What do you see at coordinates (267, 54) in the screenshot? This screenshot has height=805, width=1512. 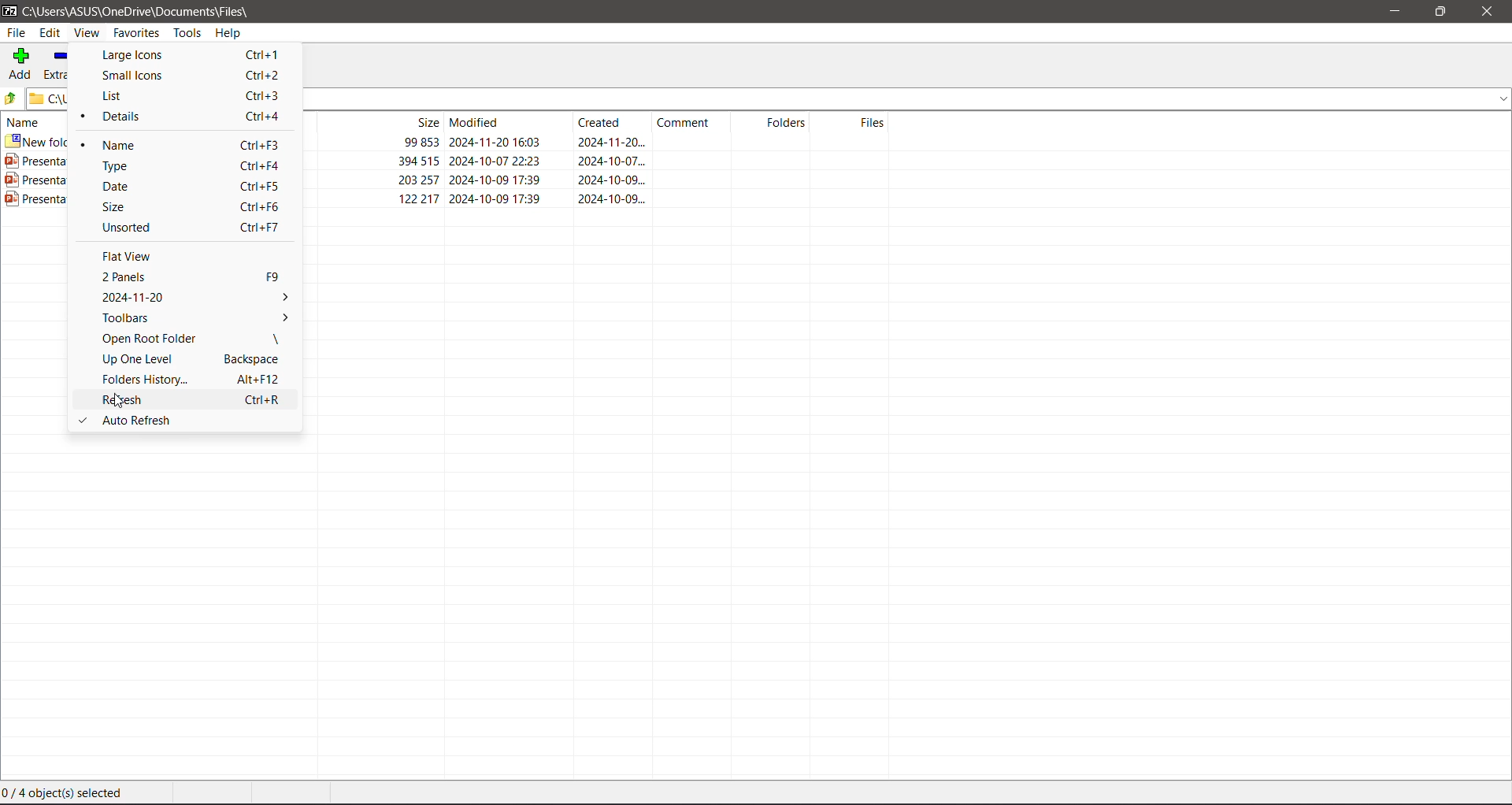 I see `Ctrl+1` at bounding box center [267, 54].